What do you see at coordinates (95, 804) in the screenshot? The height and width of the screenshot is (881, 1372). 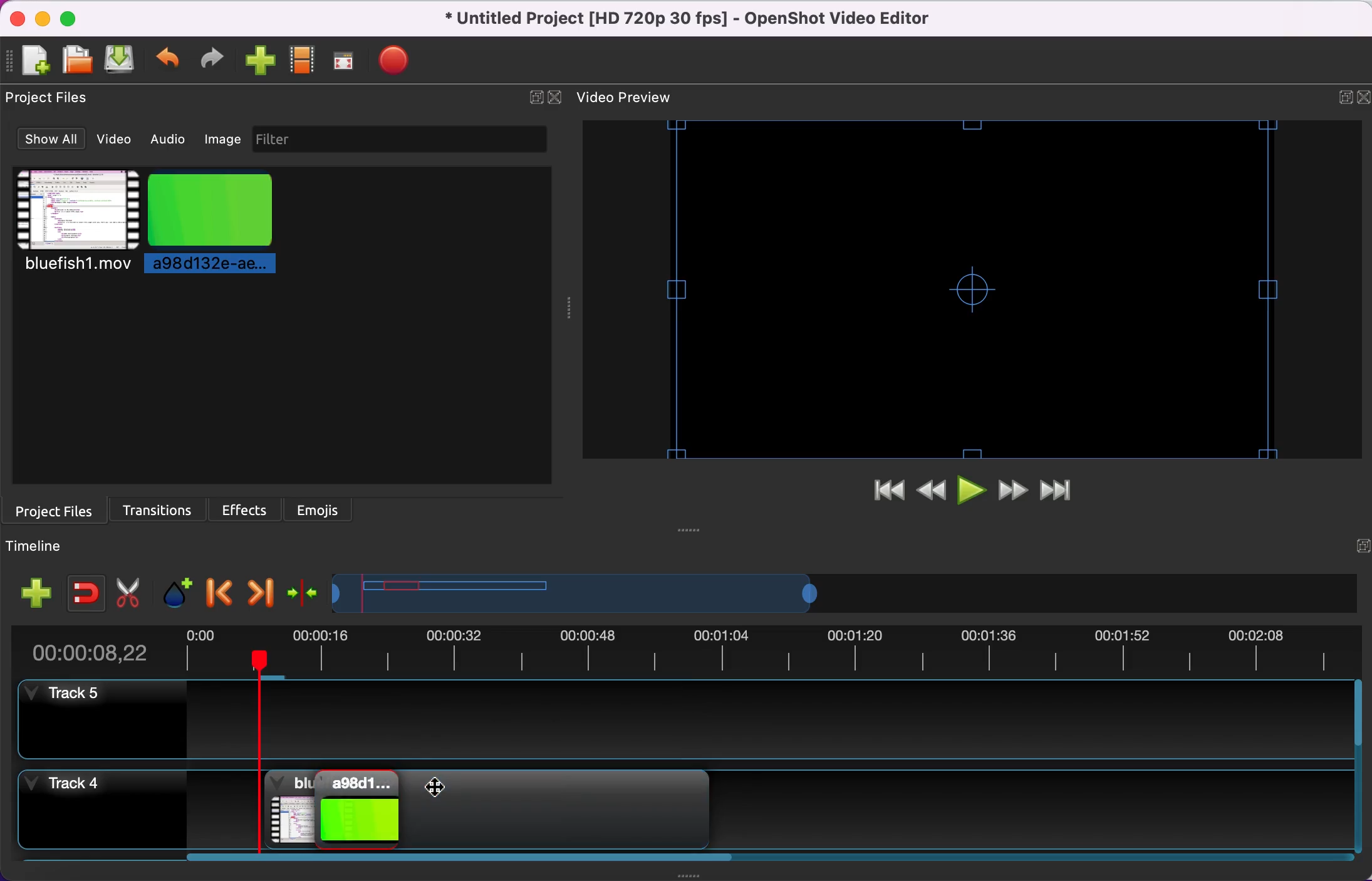 I see `track 4` at bounding box center [95, 804].